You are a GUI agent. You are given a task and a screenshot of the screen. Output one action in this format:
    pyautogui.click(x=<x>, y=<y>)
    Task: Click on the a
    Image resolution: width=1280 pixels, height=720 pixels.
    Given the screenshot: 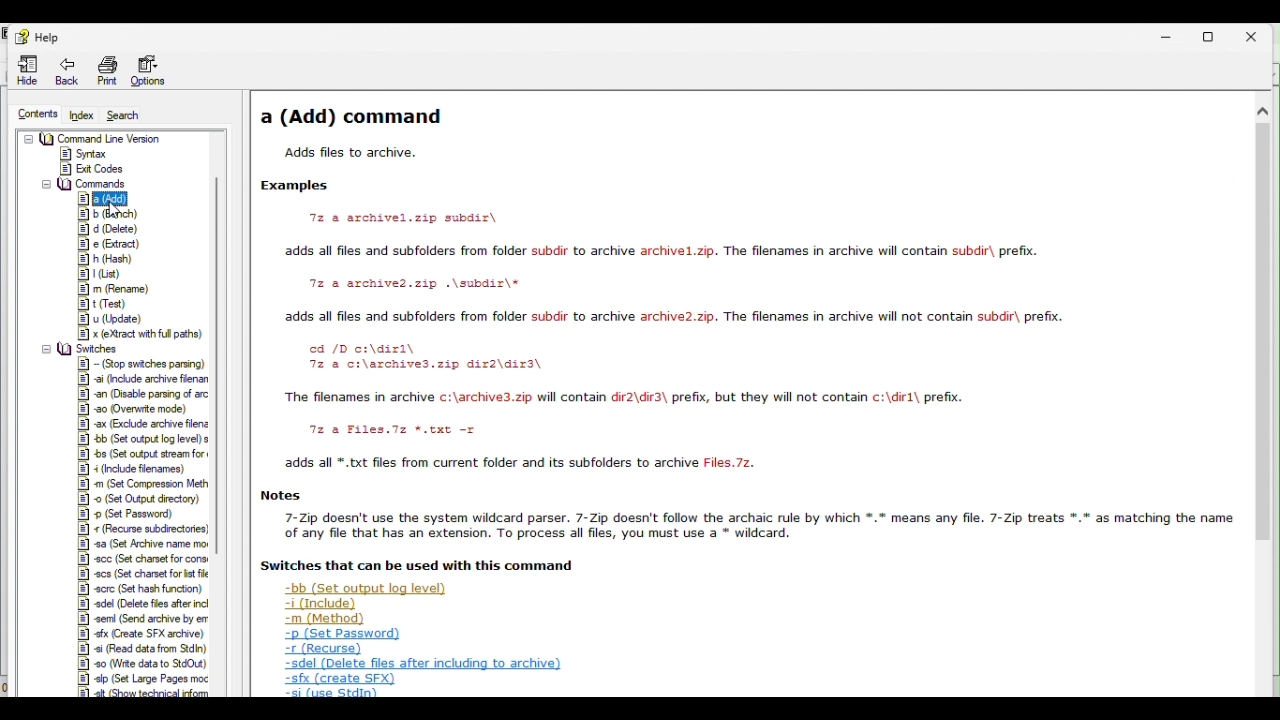 What is the action you would take?
    pyautogui.click(x=104, y=200)
    